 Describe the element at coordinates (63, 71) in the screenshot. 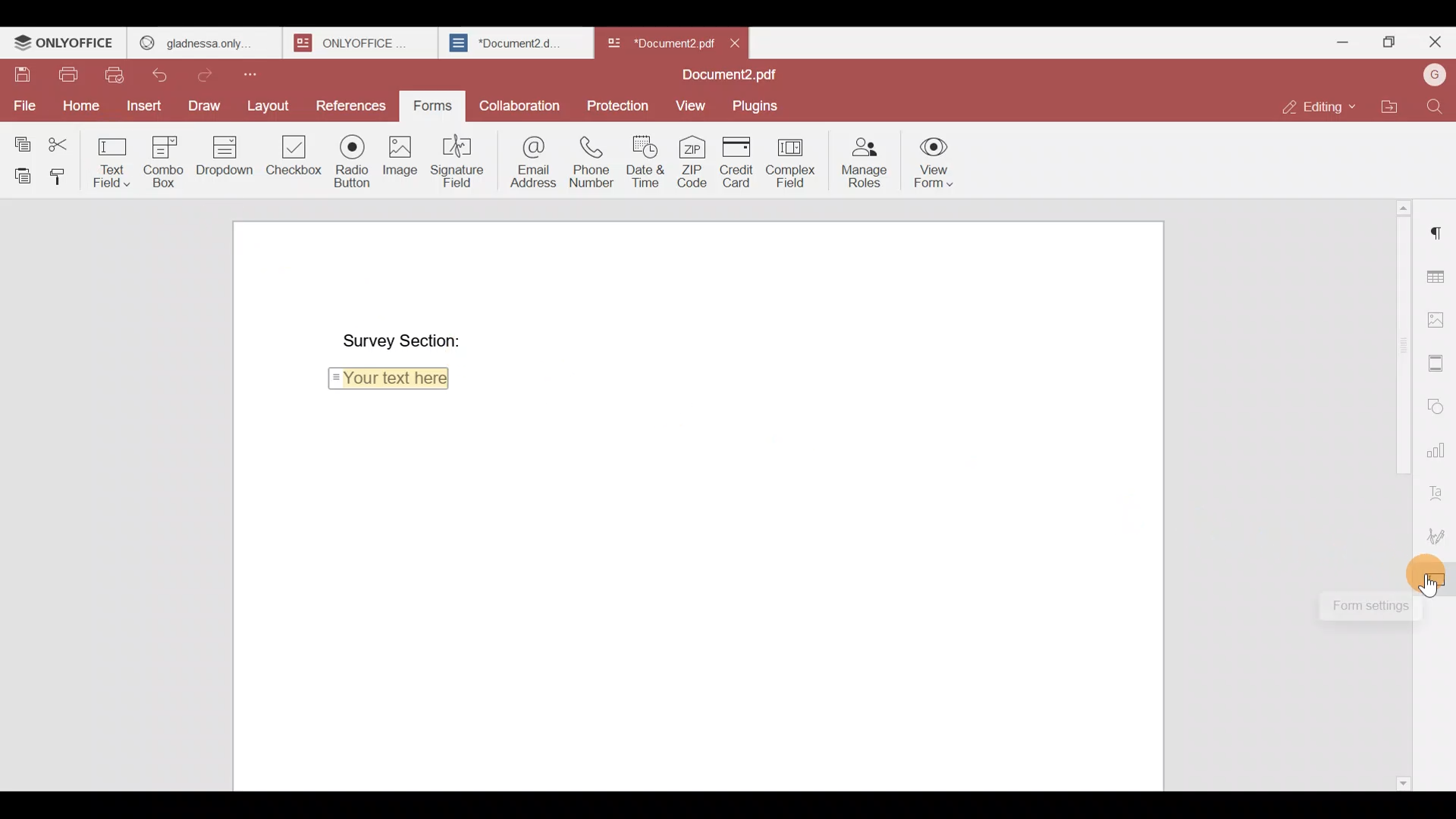

I see `Print file` at that location.